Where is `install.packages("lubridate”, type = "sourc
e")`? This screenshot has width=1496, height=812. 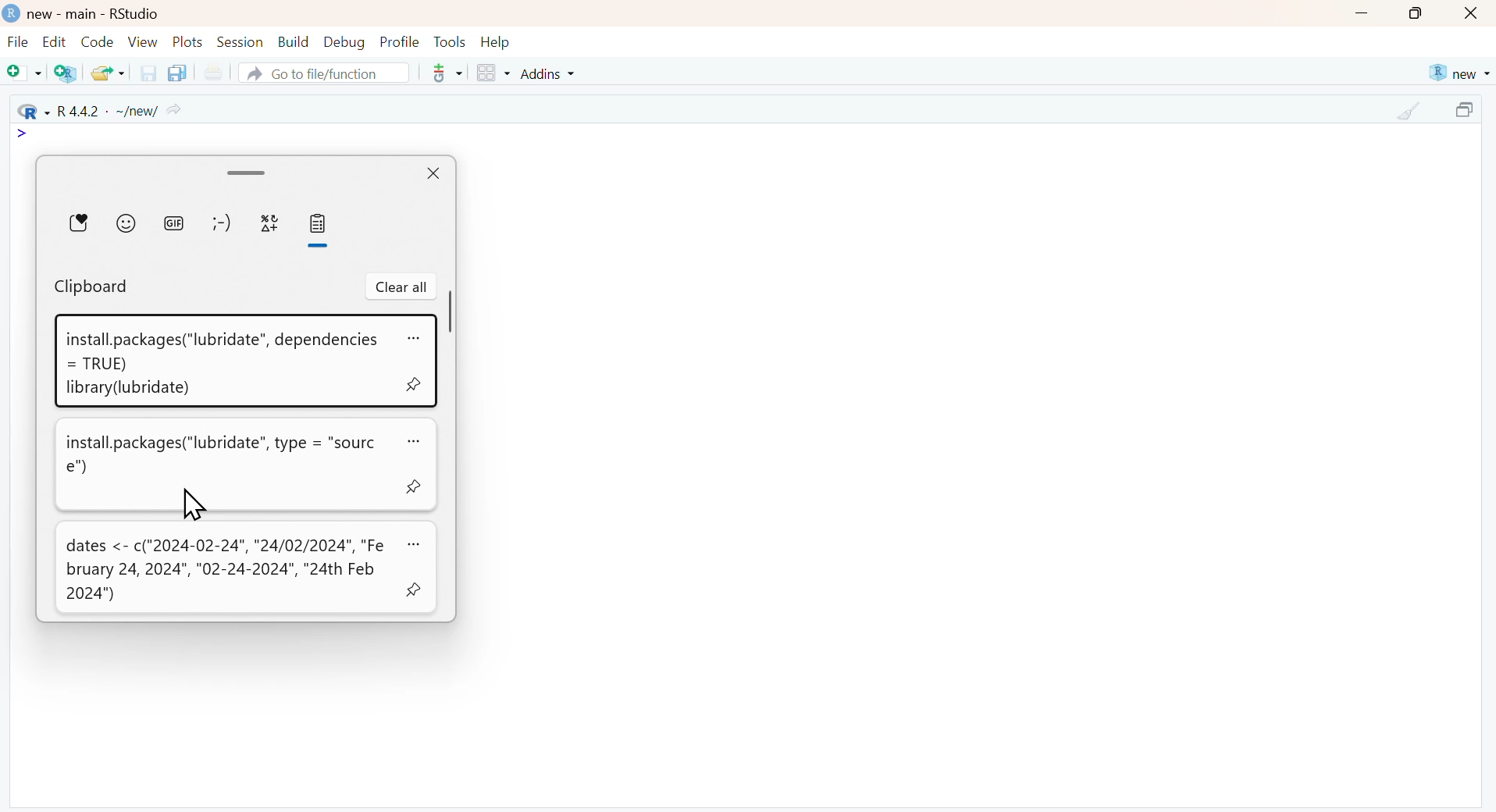 install.packages("lubridate”, type = "sourc
e") is located at coordinates (221, 455).